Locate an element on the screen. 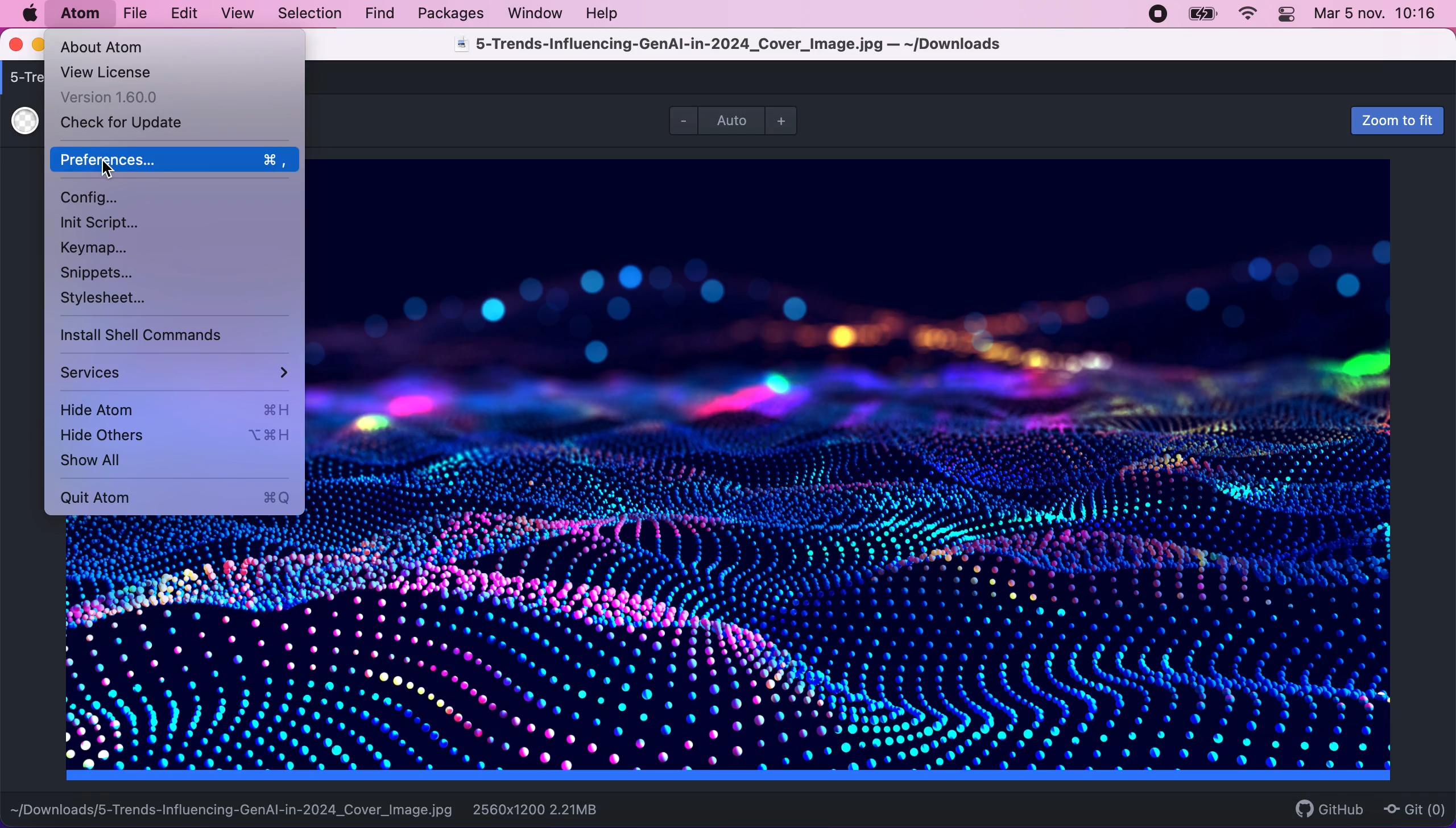 This screenshot has height=828, width=1456. mac logo is located at coordinates (29, 14).